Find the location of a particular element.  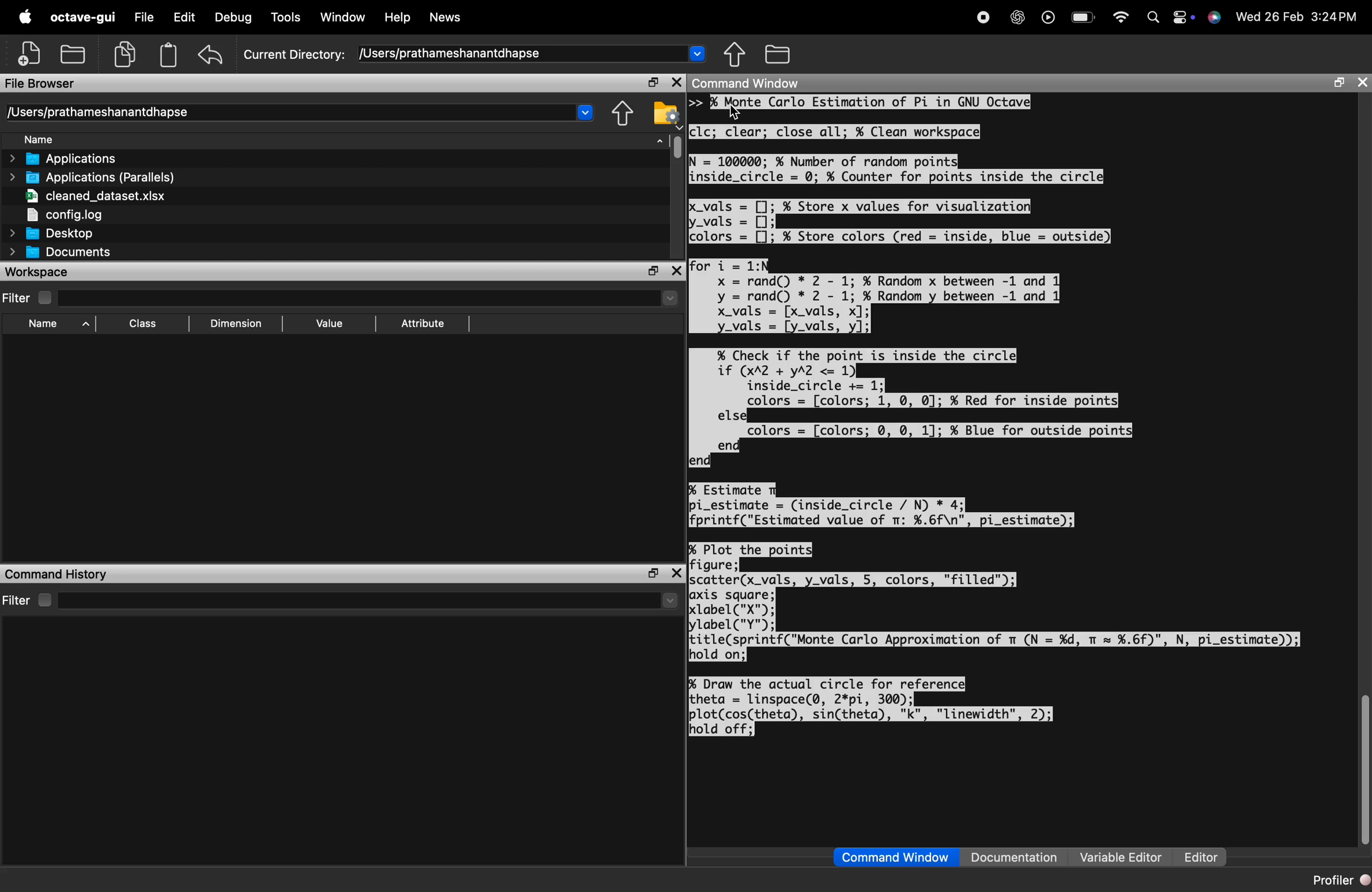

Dimension is located at coordinates (233, 323).